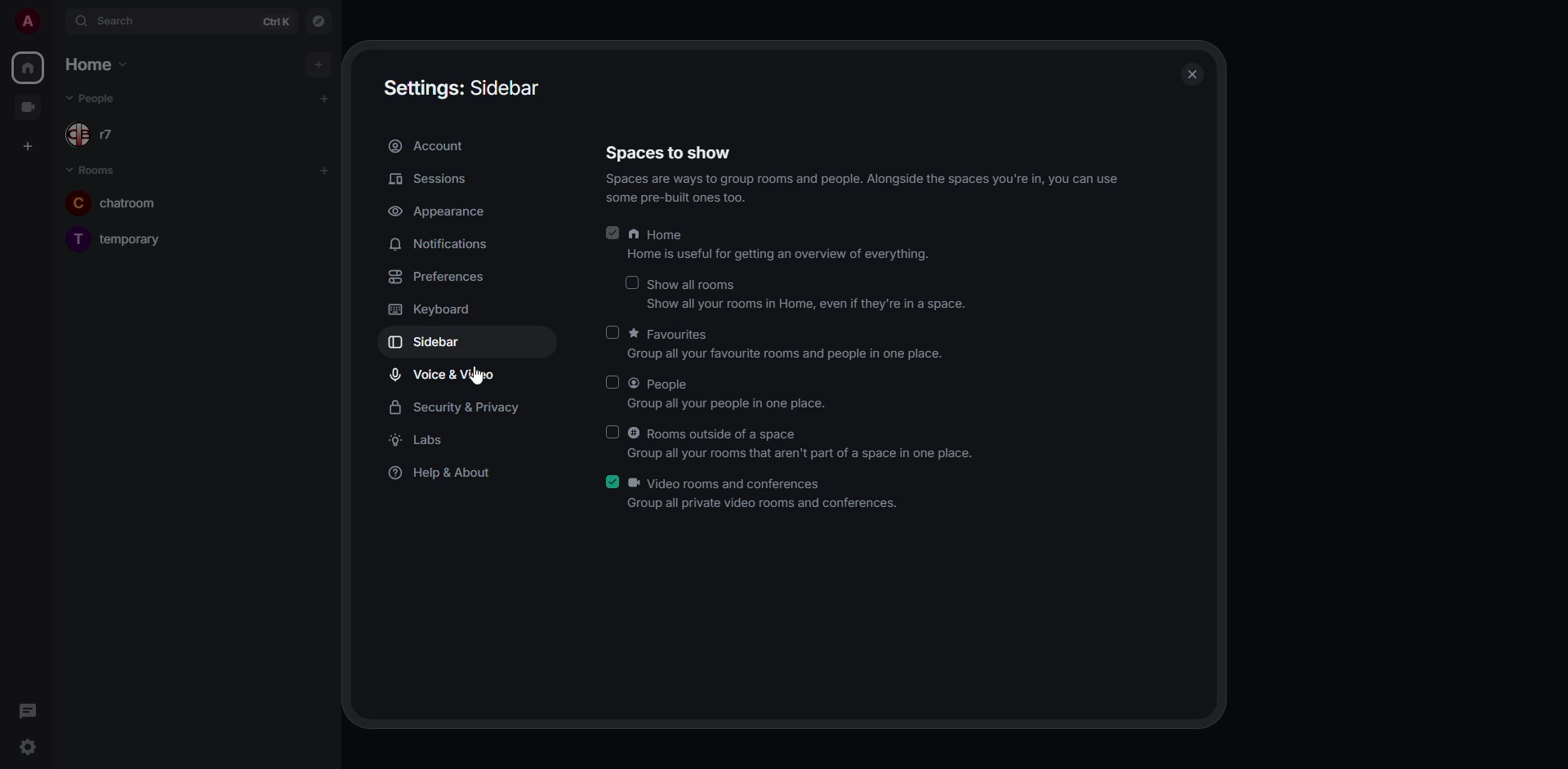 The width and height of the screenshot is (1568, 769). What do you see at coordinates (1192, 75) in the screenshot?
I see `close` at bounding box center [1192, 75].